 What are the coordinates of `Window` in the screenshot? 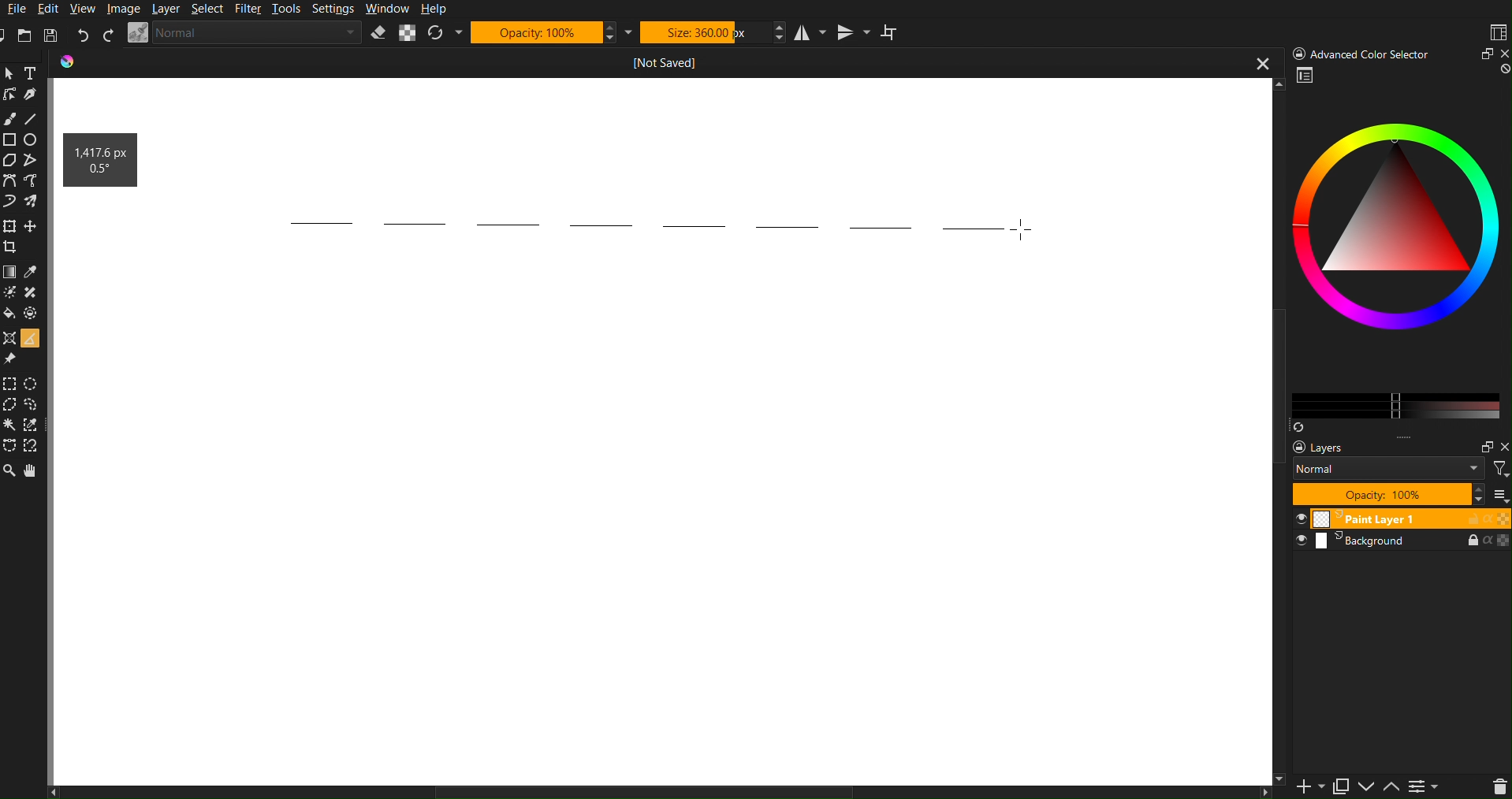 It's located at (386, 9).